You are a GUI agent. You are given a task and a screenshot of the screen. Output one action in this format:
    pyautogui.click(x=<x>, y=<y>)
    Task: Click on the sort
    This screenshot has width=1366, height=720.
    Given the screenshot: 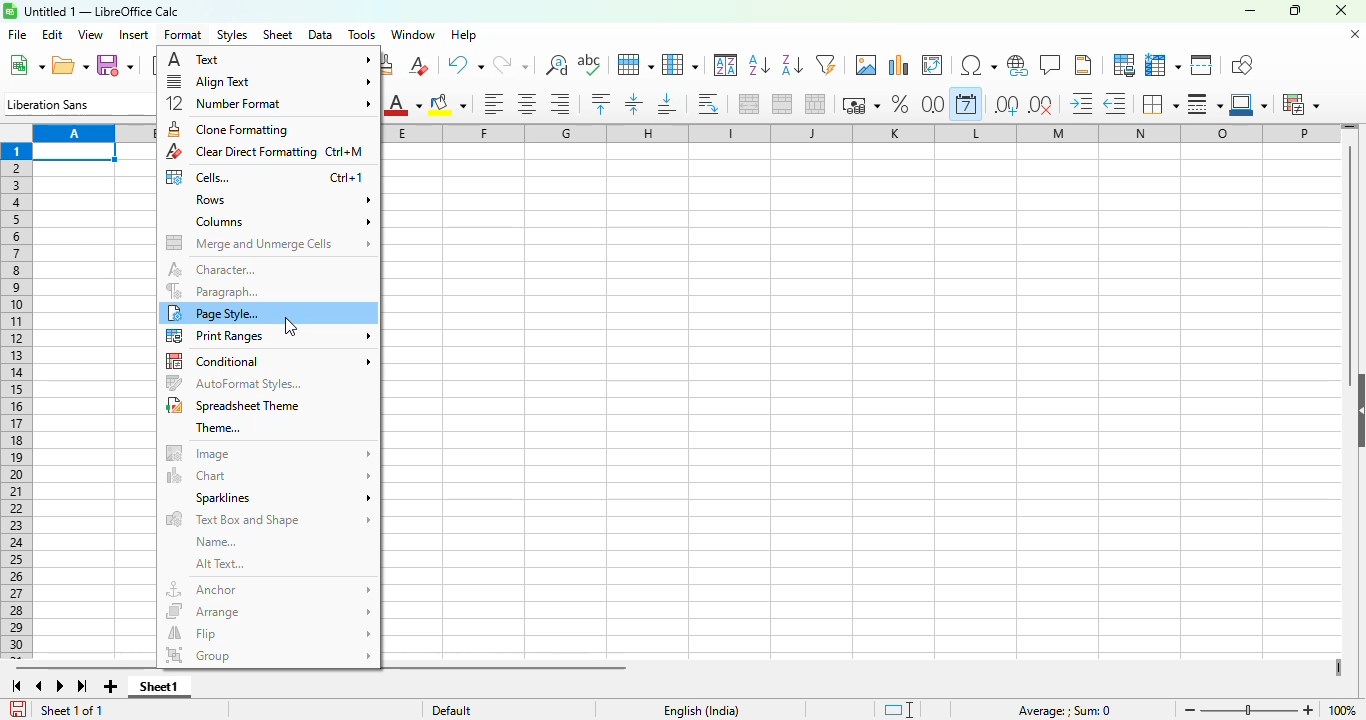 What is the action you would take?
    pyautogui.click(x=726, y=64)
    